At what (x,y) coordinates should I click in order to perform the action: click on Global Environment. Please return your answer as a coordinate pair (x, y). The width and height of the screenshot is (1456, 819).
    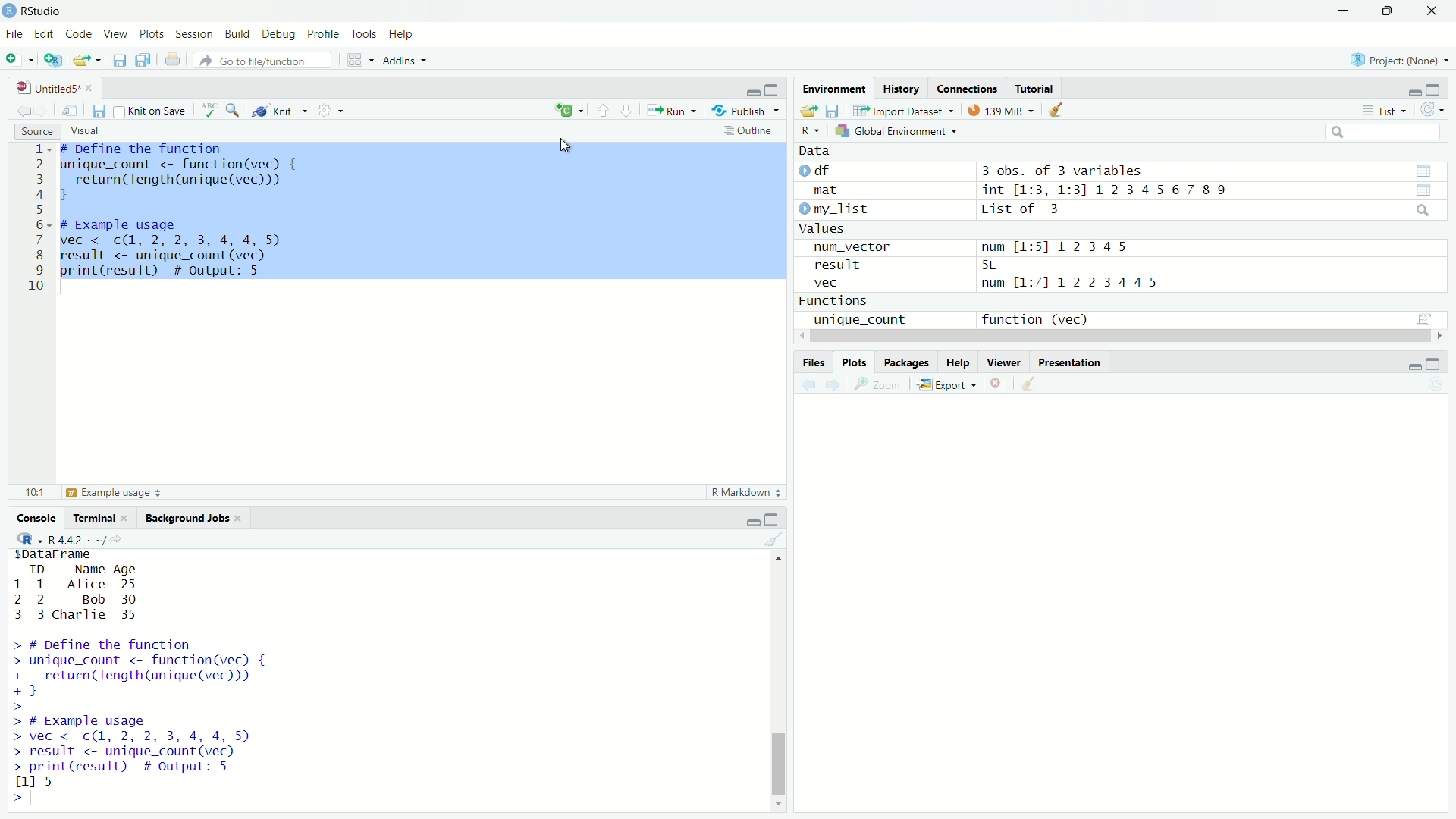
    Looking at the image, I should click on (895, 131).